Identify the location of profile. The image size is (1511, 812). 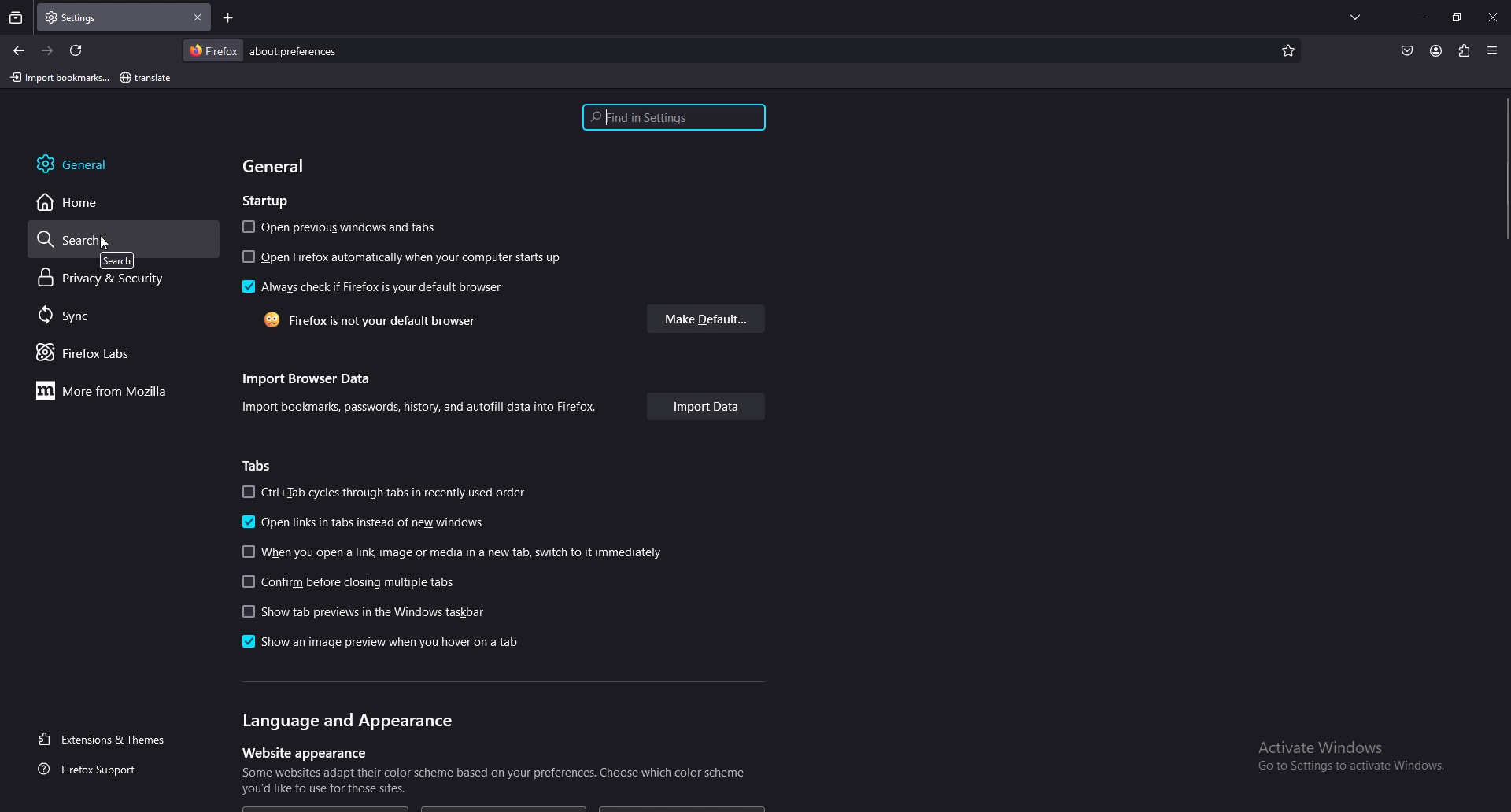
(1436, 52).